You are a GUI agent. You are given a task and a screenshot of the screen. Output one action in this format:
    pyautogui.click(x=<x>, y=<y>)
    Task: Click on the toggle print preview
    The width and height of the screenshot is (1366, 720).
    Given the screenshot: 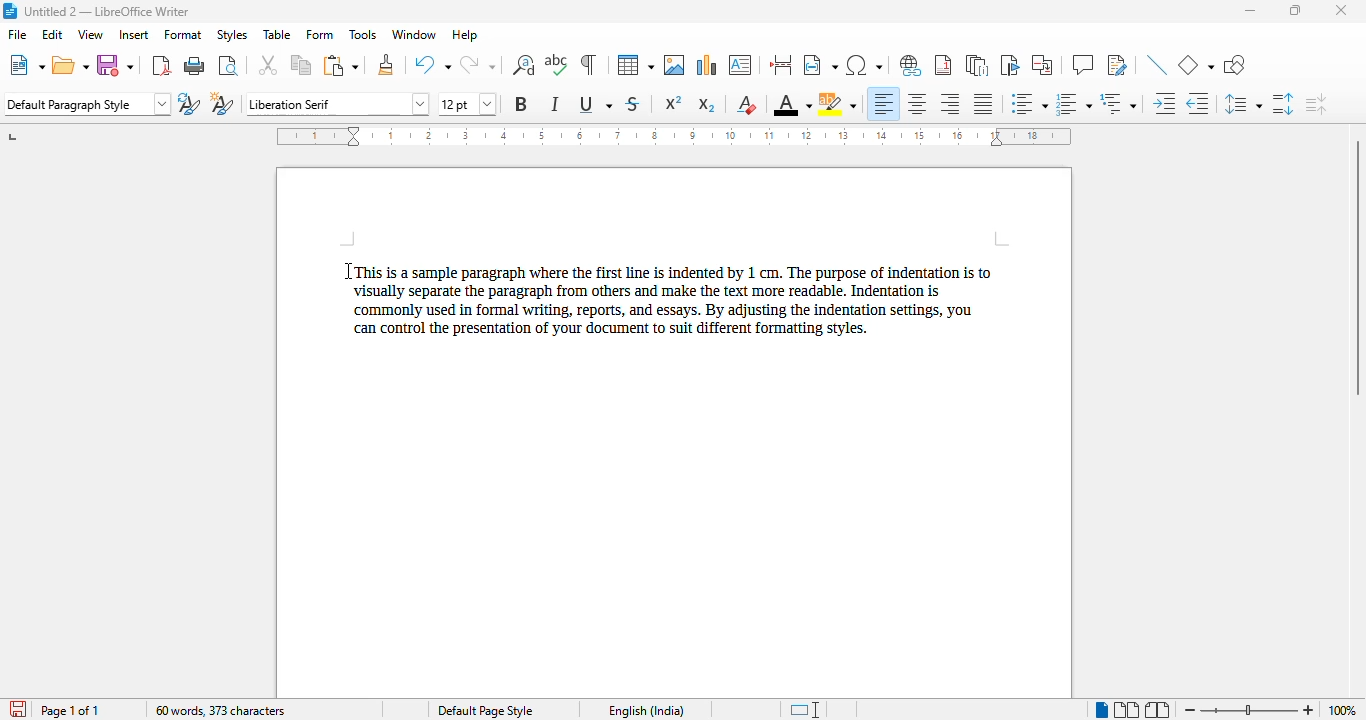 What is the action you would take?
    pyautogui.click(x=229, y=65)
    